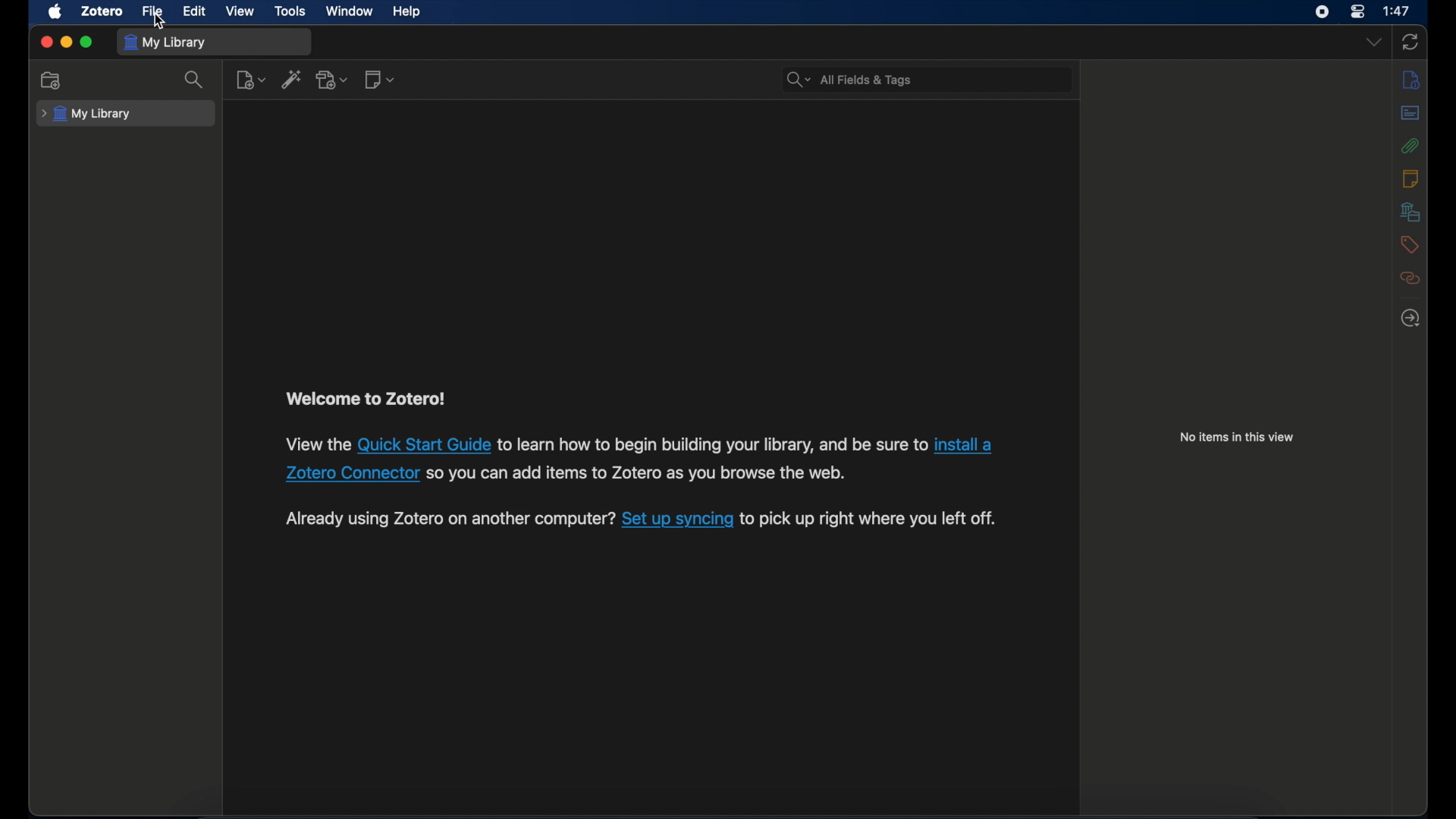 The width and height of the screenshot is (1456, 819). What do you see at coordinates (194, 81) in the screenshot?
I see `search` at bounding box center [194, 81].